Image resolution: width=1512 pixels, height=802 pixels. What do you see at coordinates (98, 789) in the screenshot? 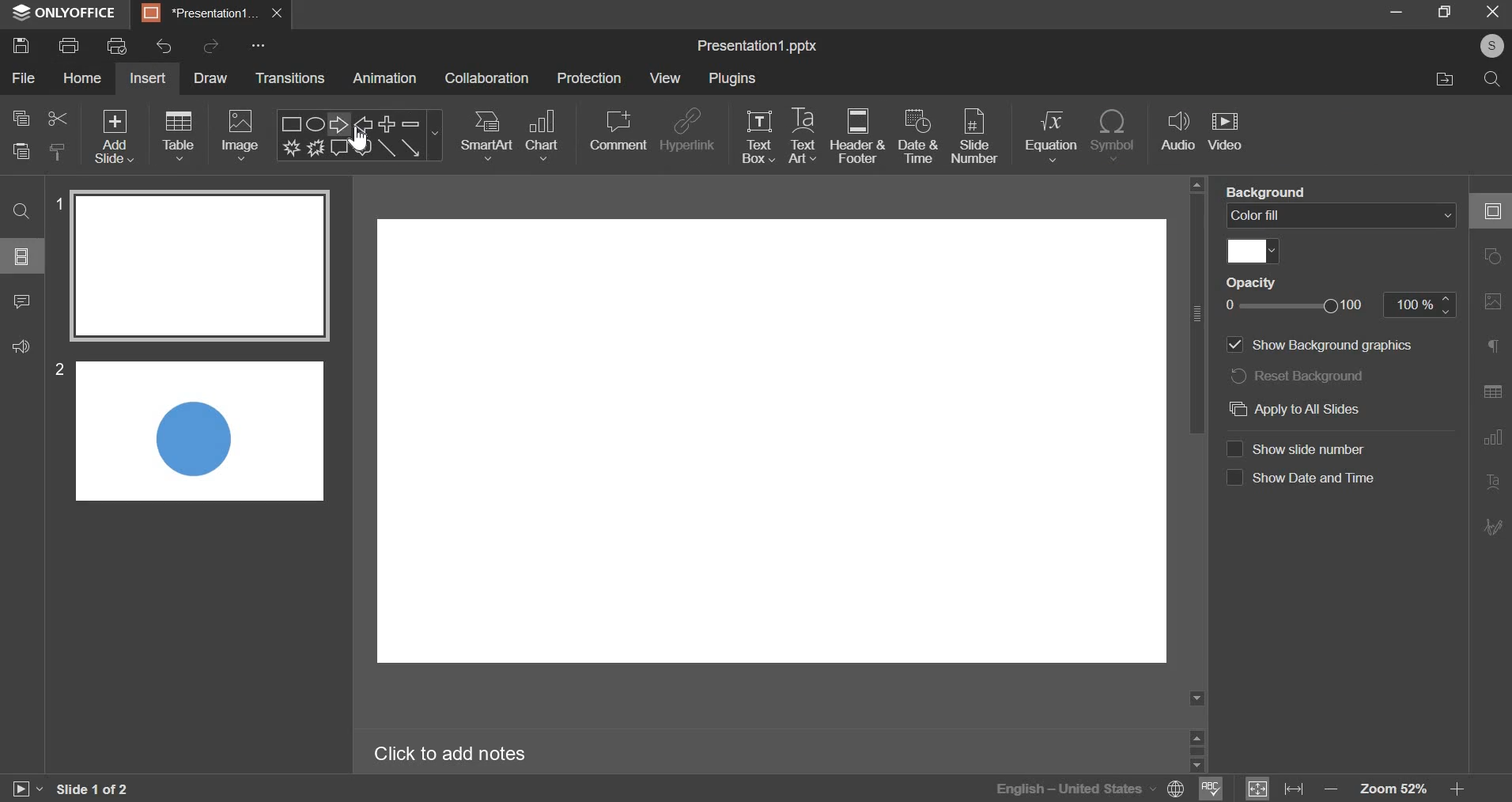
I see `slide 1 of 2` at bounding box center [98, 789].